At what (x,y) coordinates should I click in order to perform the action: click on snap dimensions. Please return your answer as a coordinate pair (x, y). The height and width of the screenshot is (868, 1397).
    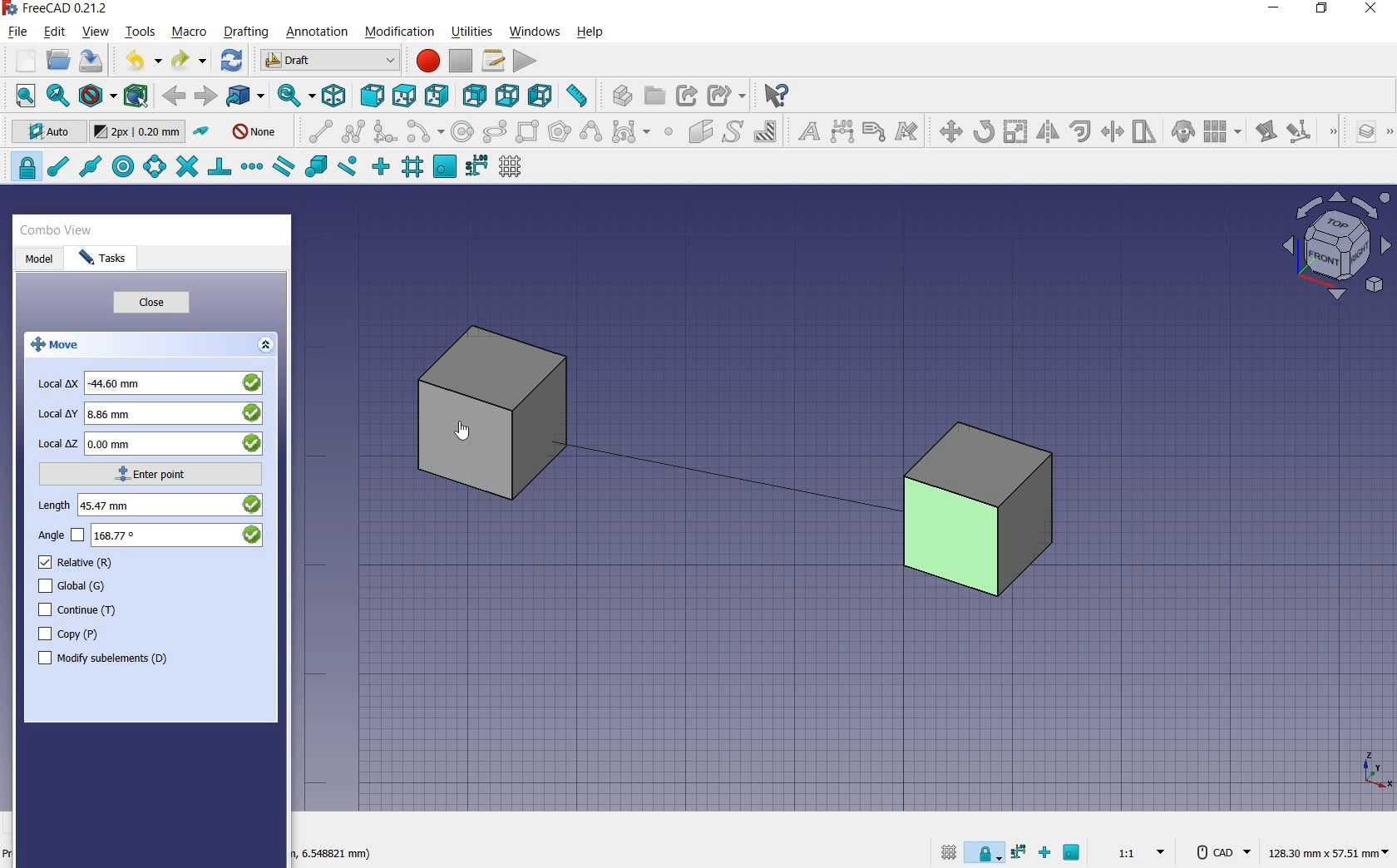
    Looking at the image, I should click on (477, 167).